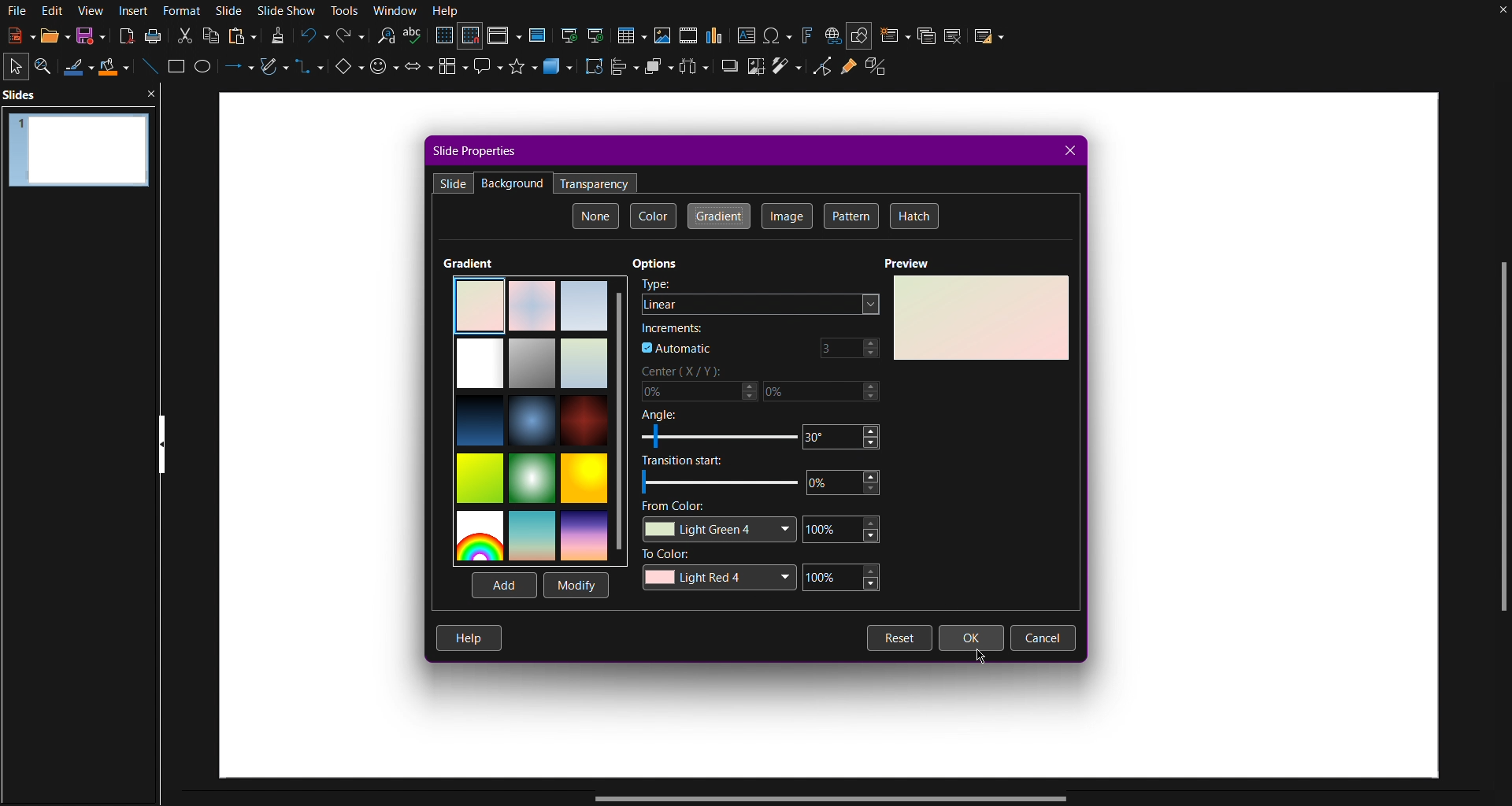 The height and width of the screenshot is (806, 1512). I want to click on Slide Show, so click(290, 10).